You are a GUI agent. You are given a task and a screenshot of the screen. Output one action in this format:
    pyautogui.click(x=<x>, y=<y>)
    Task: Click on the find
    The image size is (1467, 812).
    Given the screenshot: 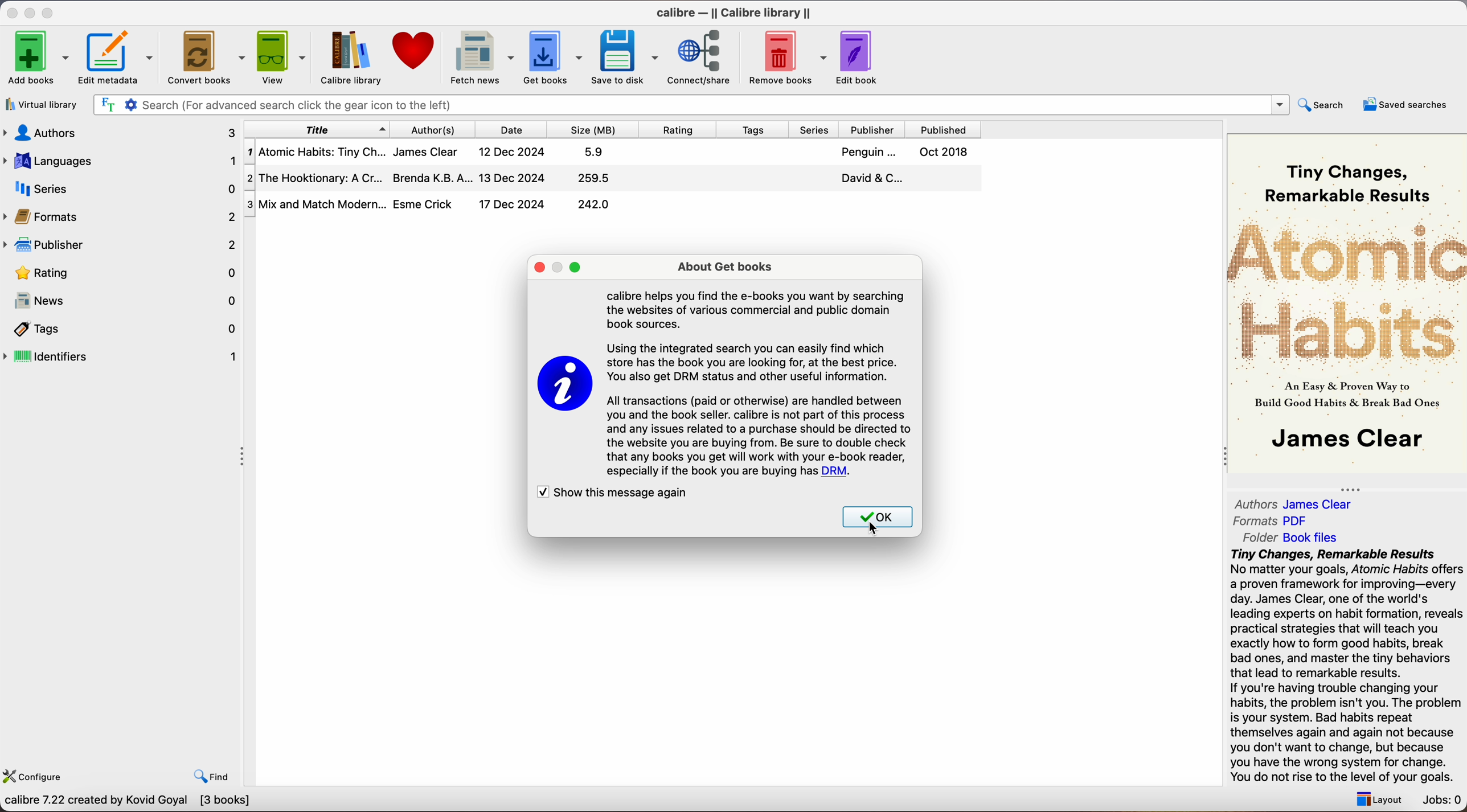 What is the action you would take?
    pyautogui.click(x=212, y=776)
    